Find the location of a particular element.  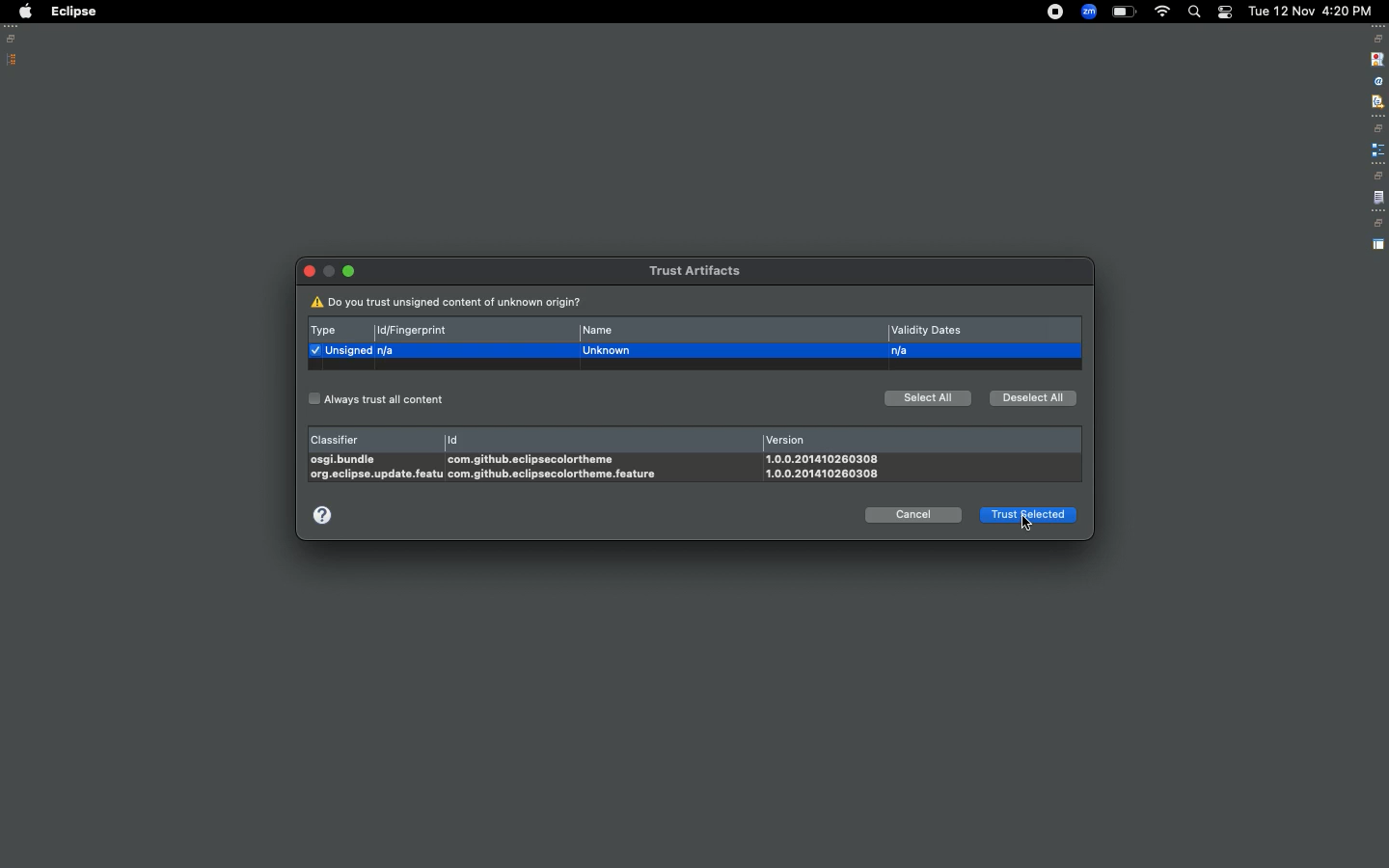

Classifier is located at coordinates (373, 452).